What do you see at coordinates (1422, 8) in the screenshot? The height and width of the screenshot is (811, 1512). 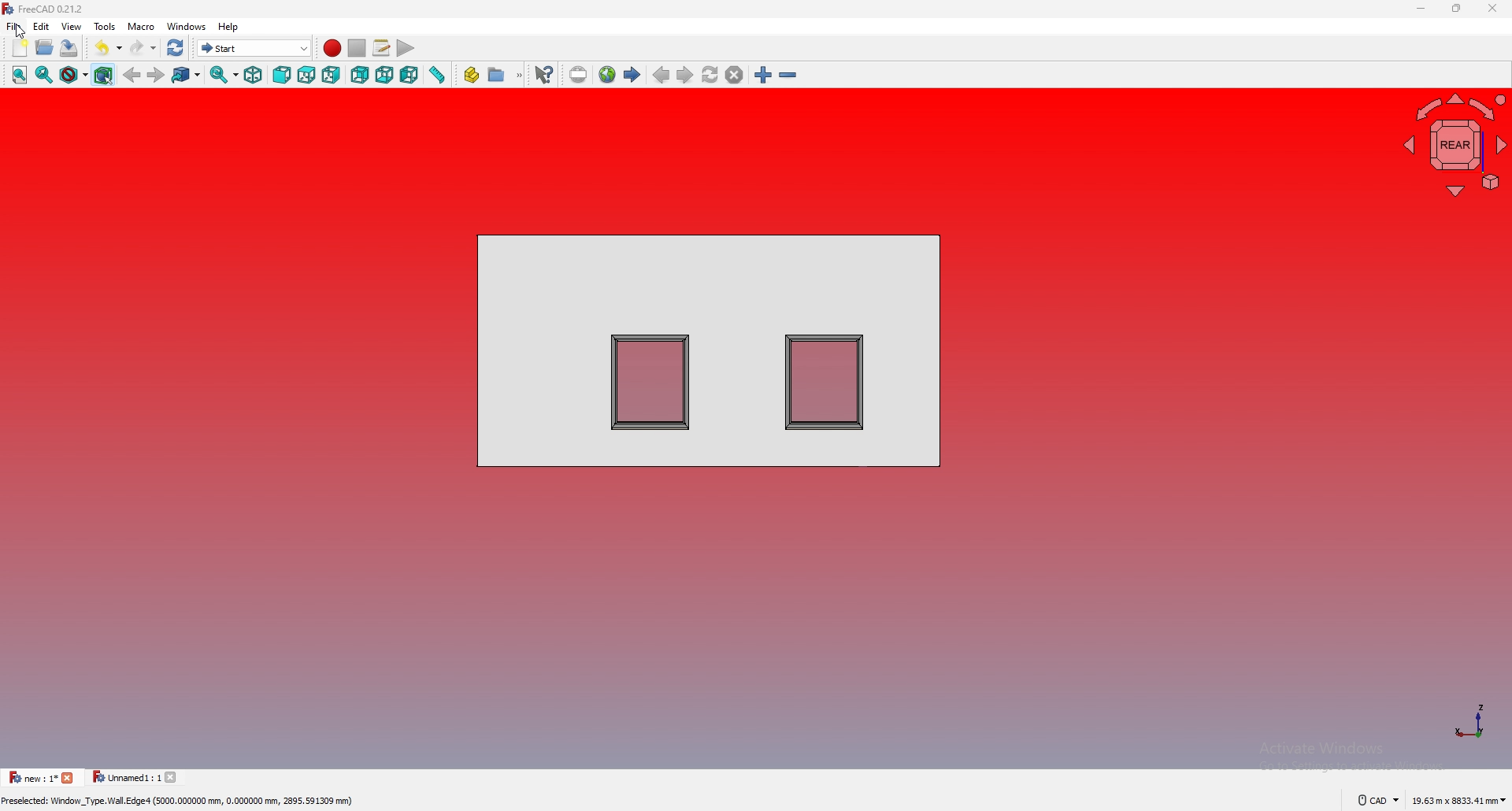 I see `minimize` at bounding box center [1422, 8].